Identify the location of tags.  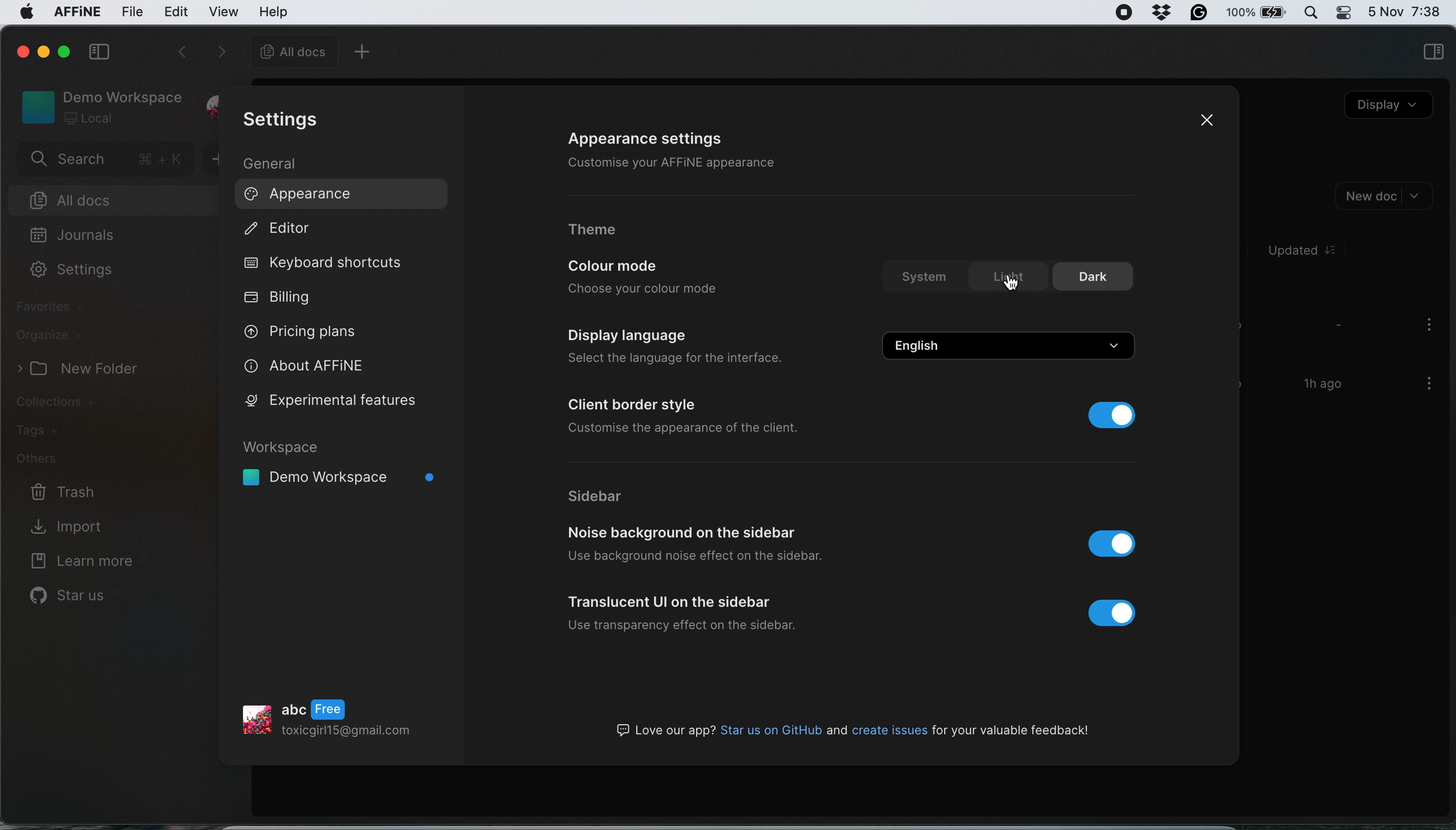
(46, 430).